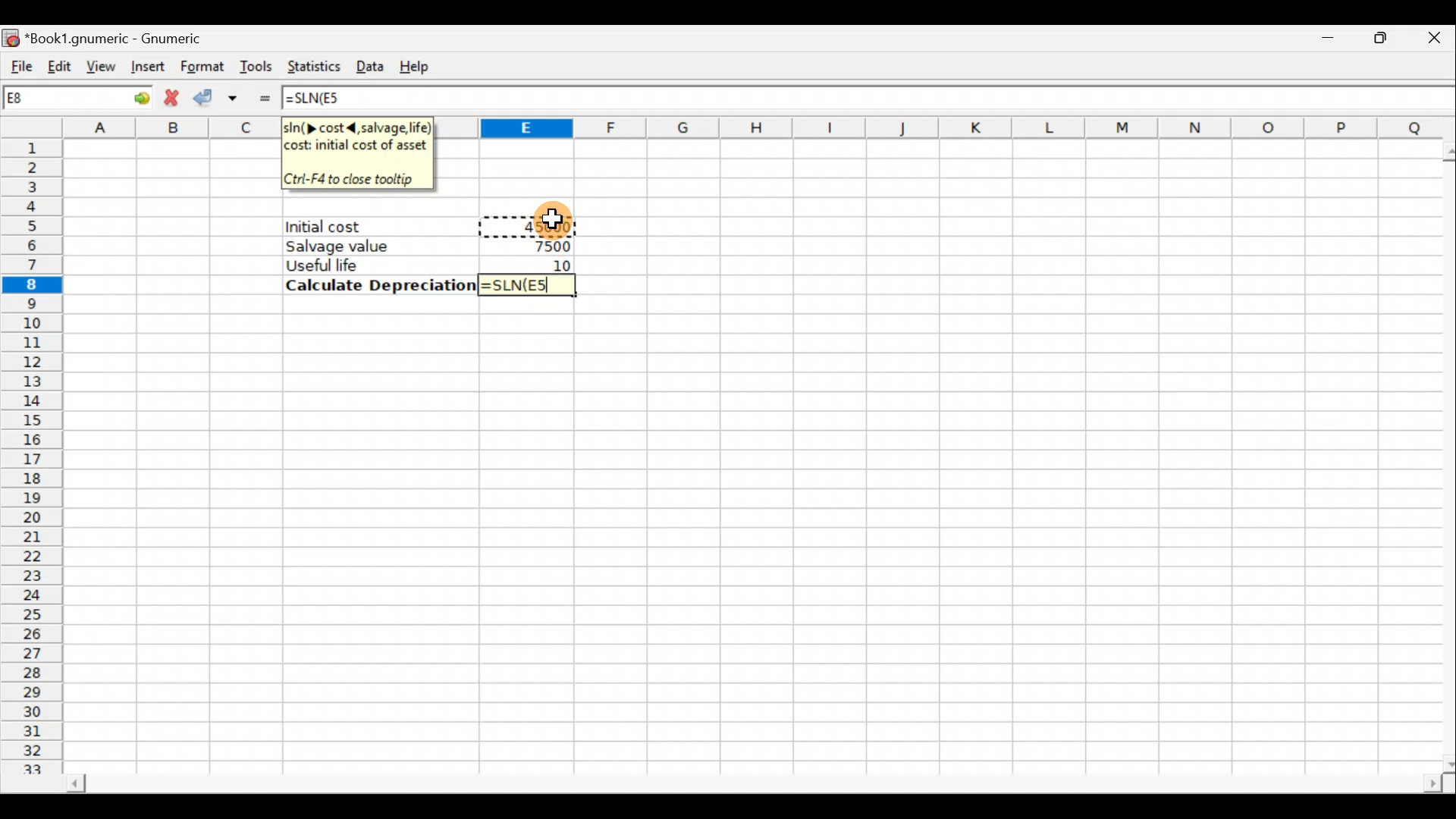  What do you see at coordinates (12, 35) in the screenshot?
I see `Gnumeric logo` at bounding box center [12, 35].